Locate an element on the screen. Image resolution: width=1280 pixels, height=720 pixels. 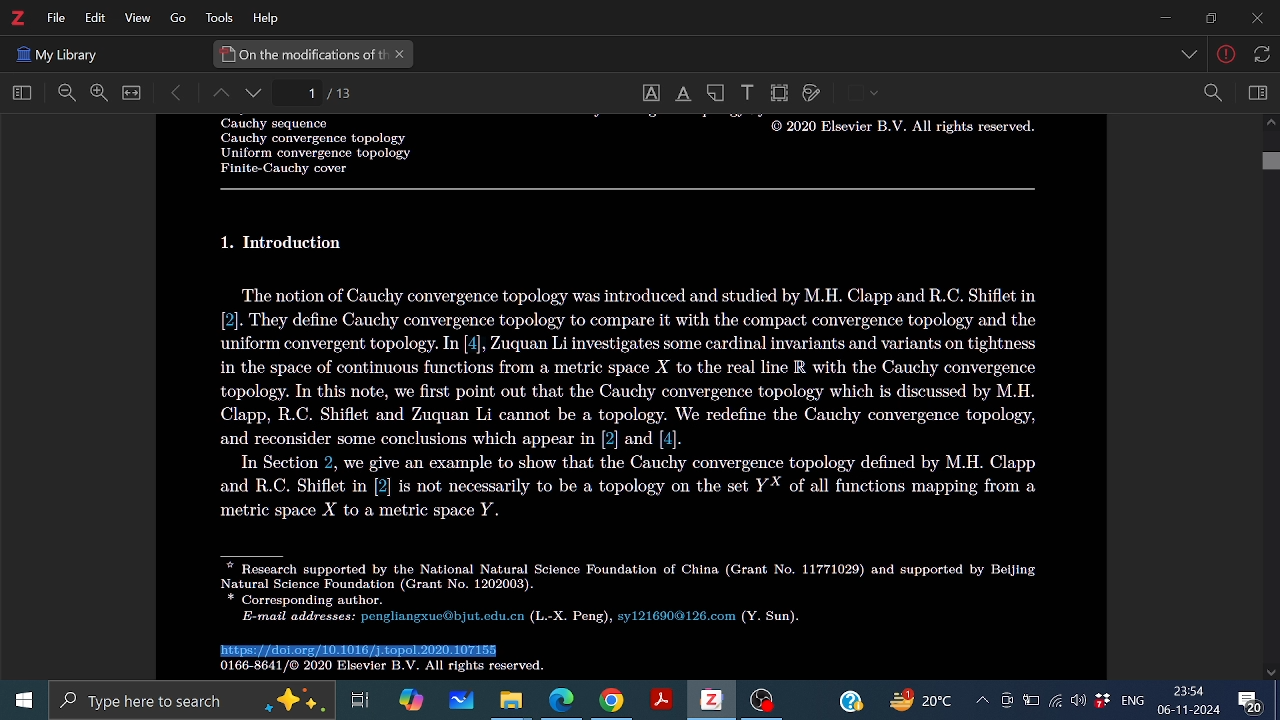
dropbox is located at coordinates (1103, 702).